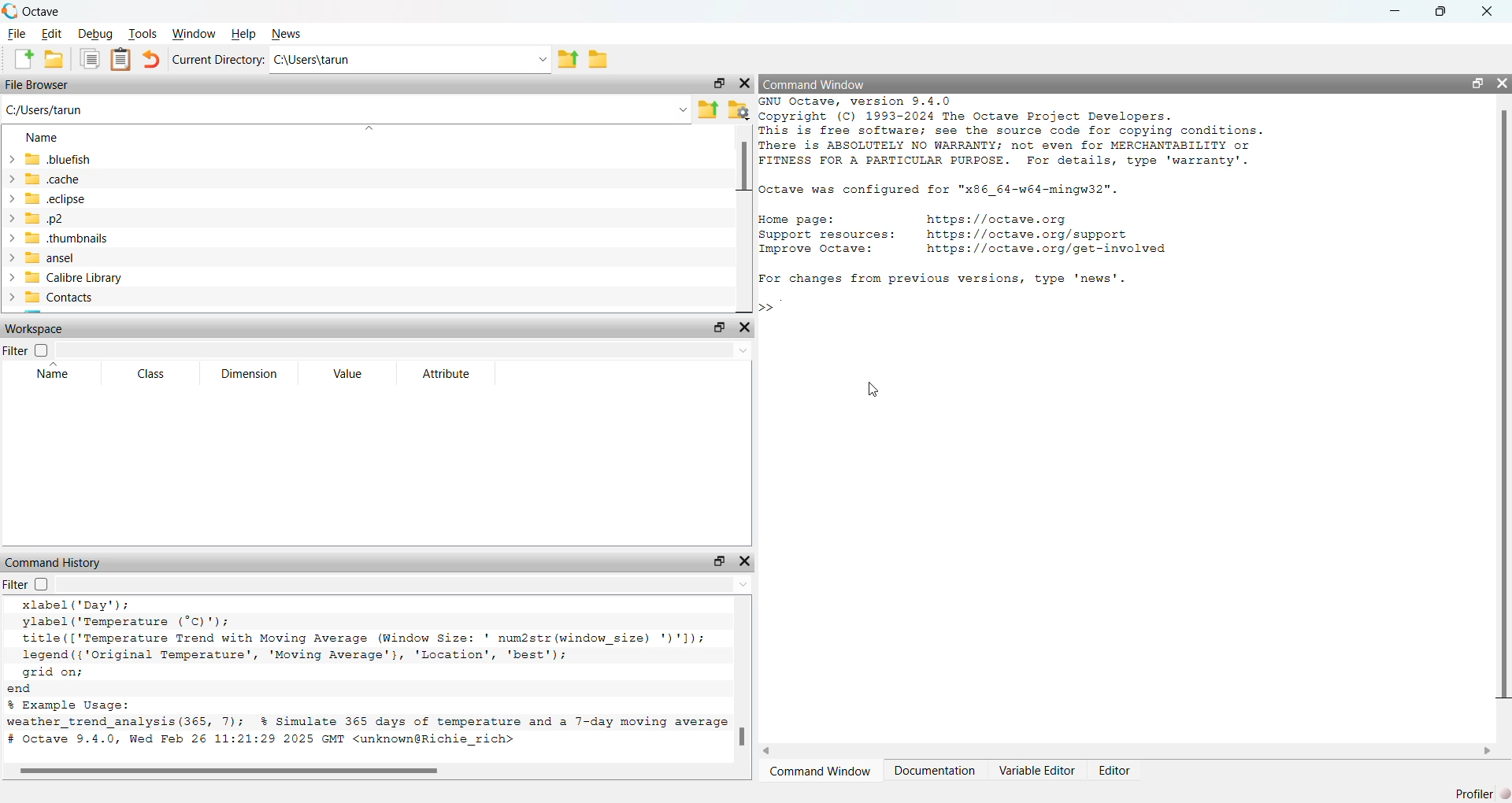 This screenshot has height=803, width=1512. I want to click on Edit, so click(50, 33).